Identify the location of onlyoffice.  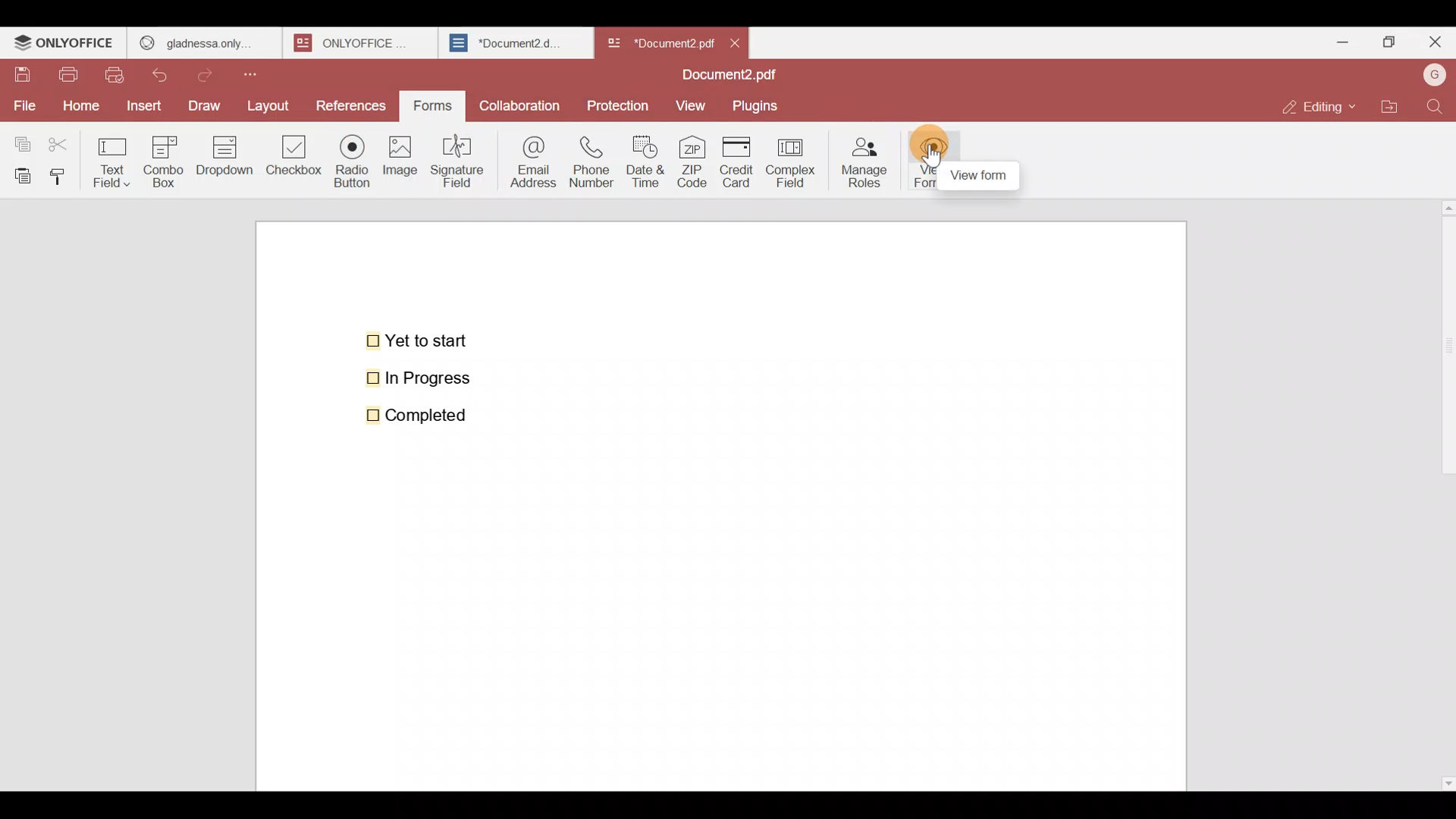
(355, 42).